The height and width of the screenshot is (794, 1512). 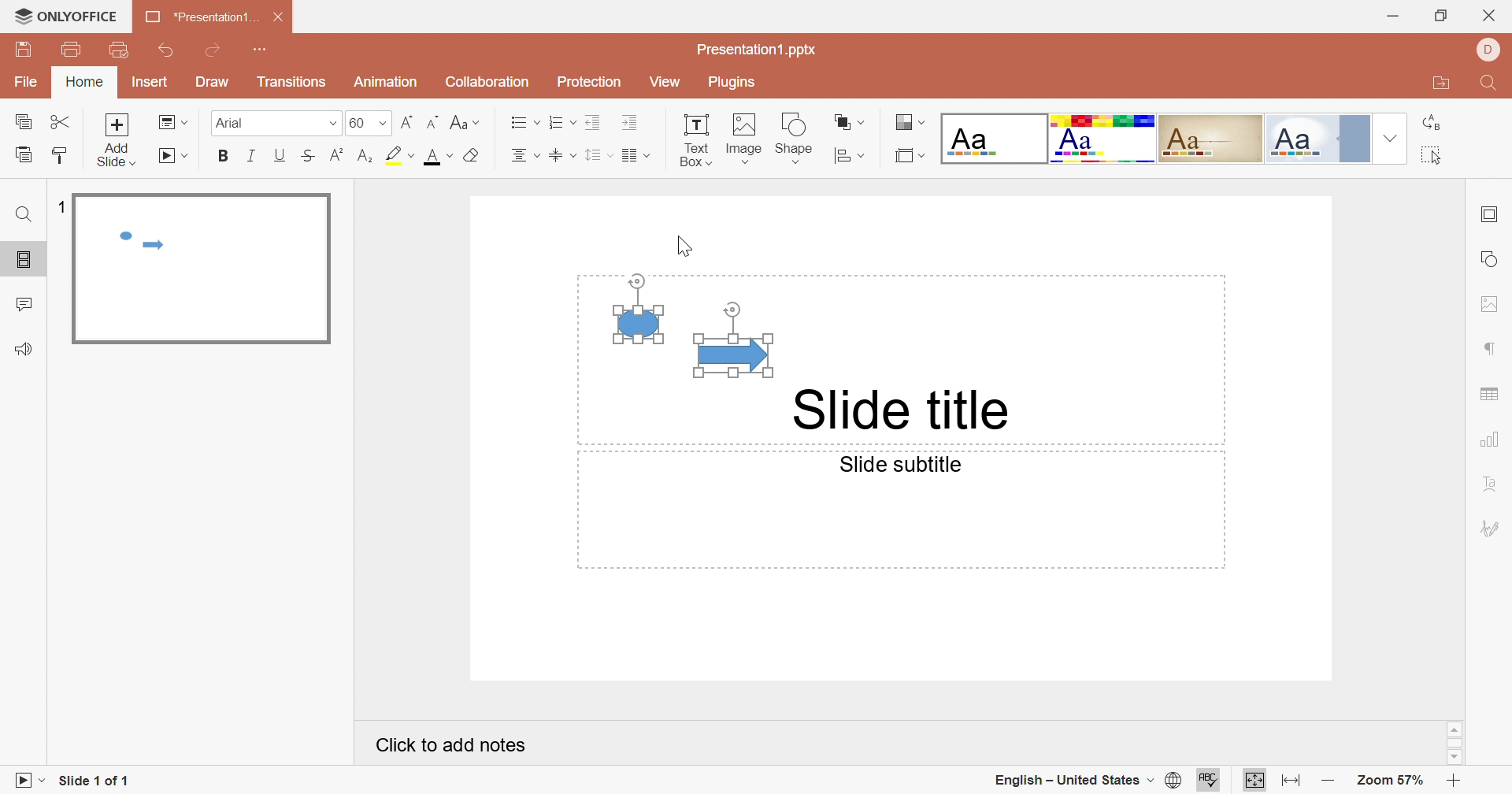 I want to click on Bullets, so click(x=524, y=124).